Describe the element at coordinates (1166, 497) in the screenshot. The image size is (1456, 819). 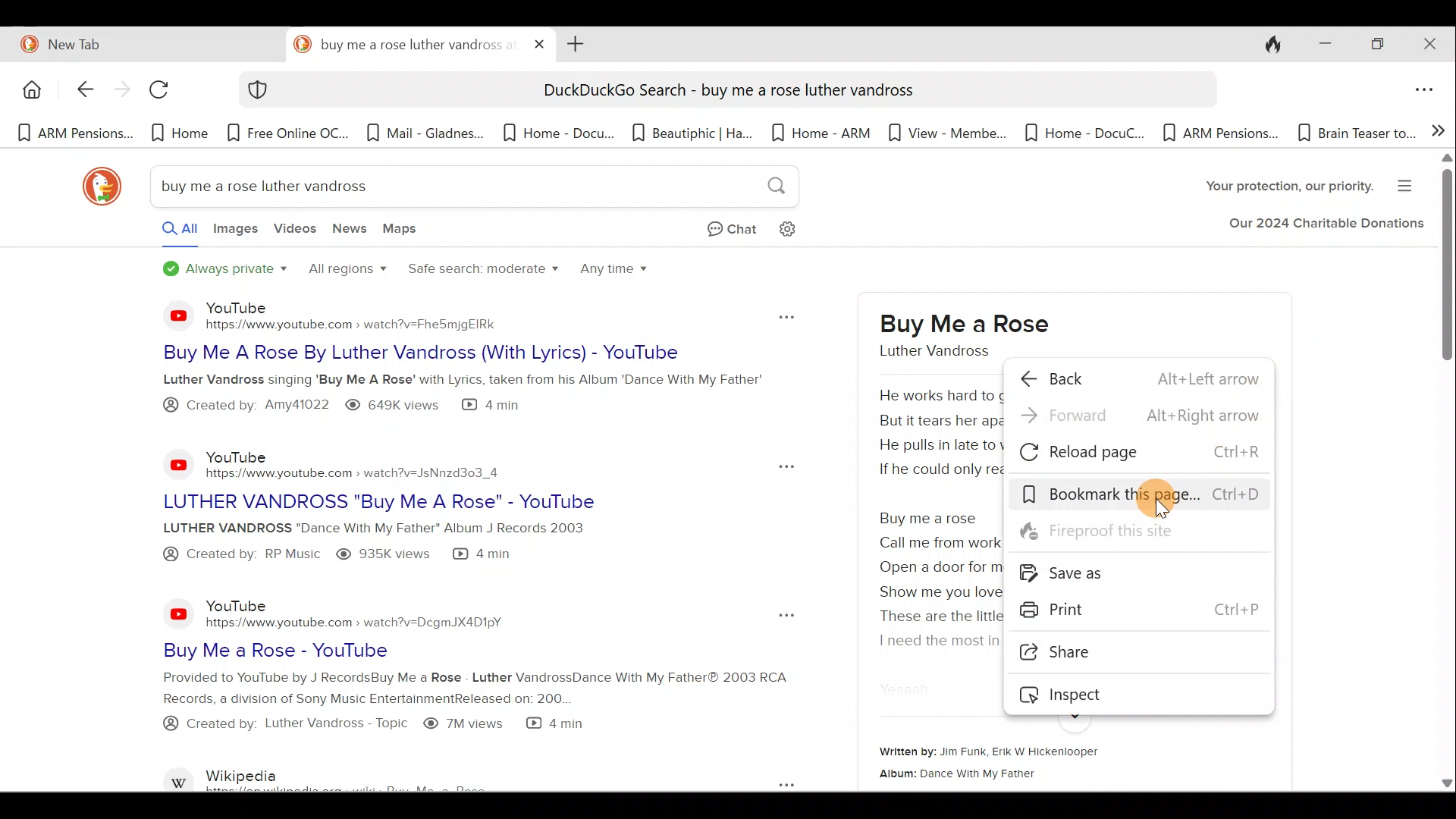
I see `Cursor` at that location.